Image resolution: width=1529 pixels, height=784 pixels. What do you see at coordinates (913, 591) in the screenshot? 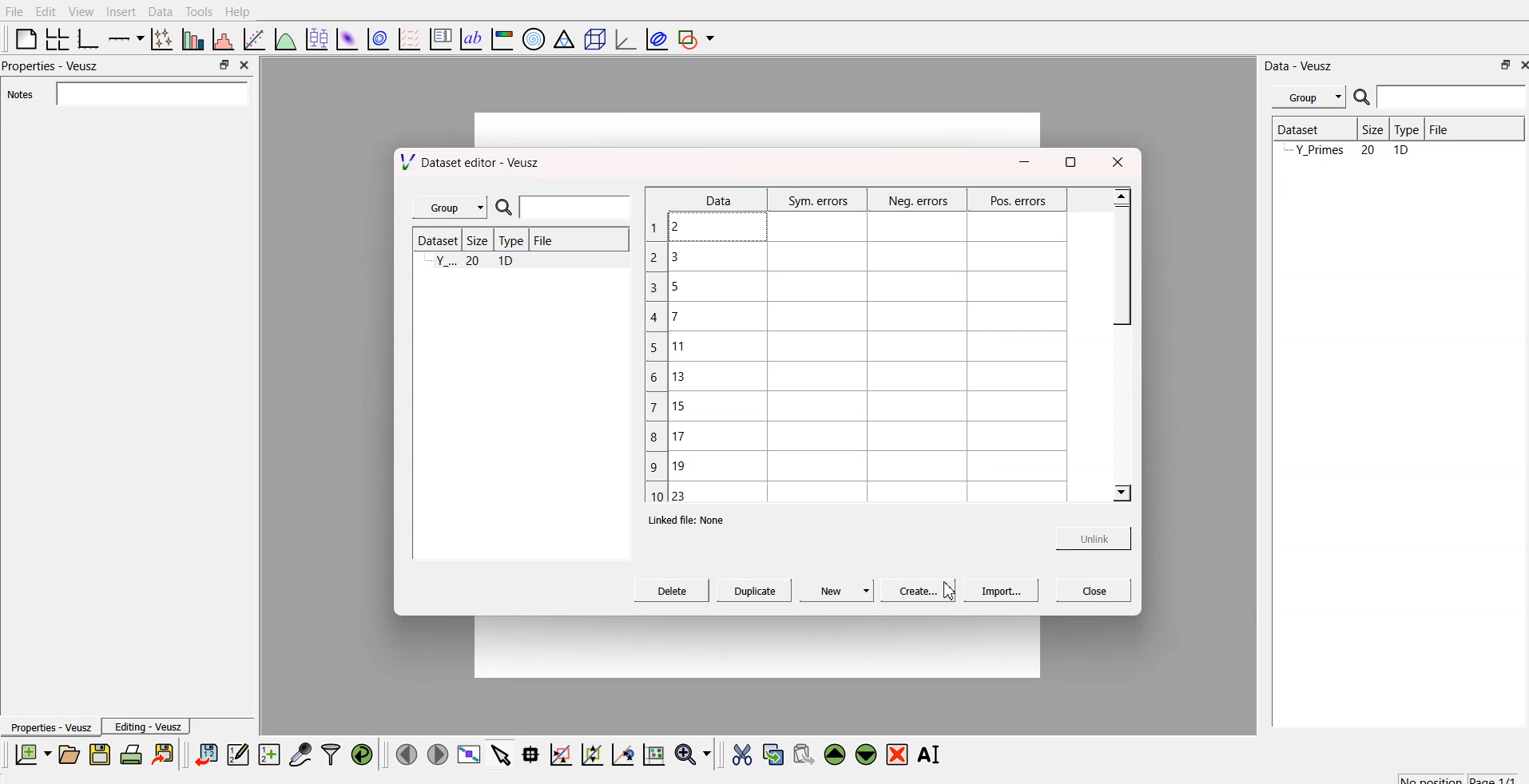
I see `Create... |;` at bounding box center [913, 591].